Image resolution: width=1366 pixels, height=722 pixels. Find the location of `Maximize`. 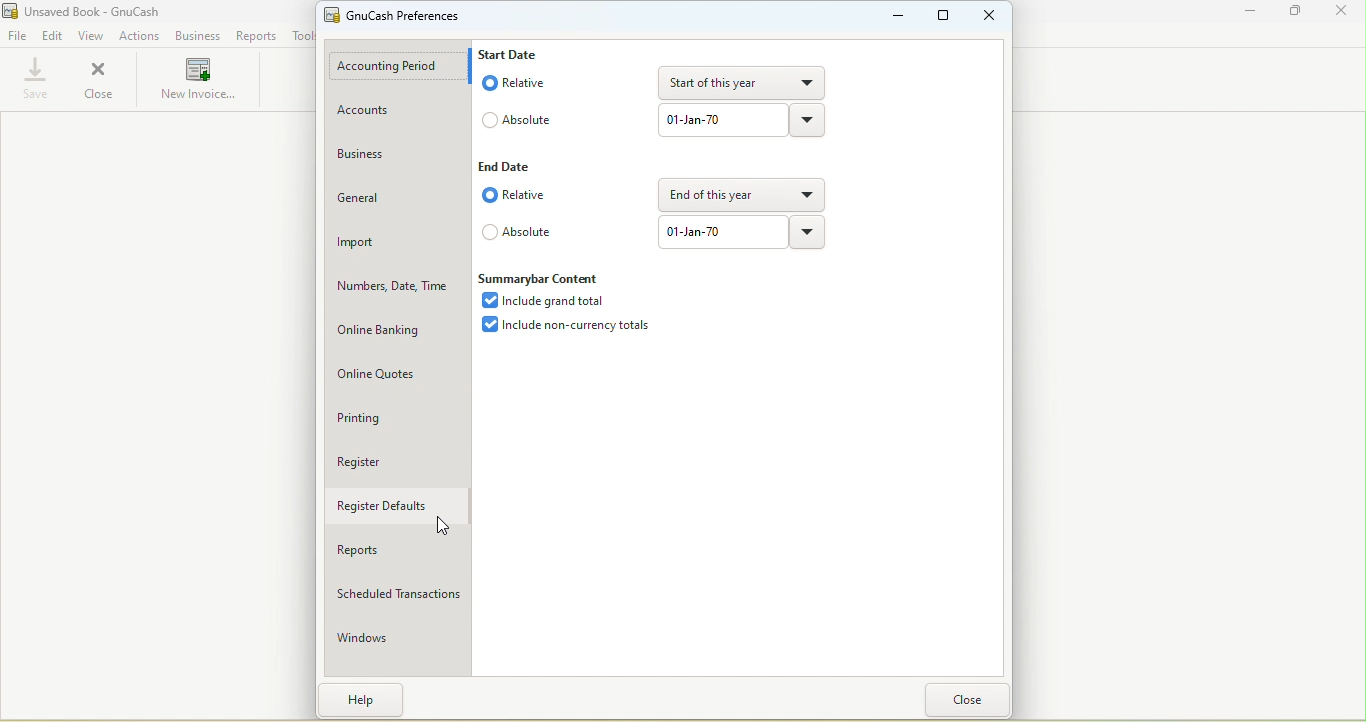

Maximize is located at coordinates (937, 19).